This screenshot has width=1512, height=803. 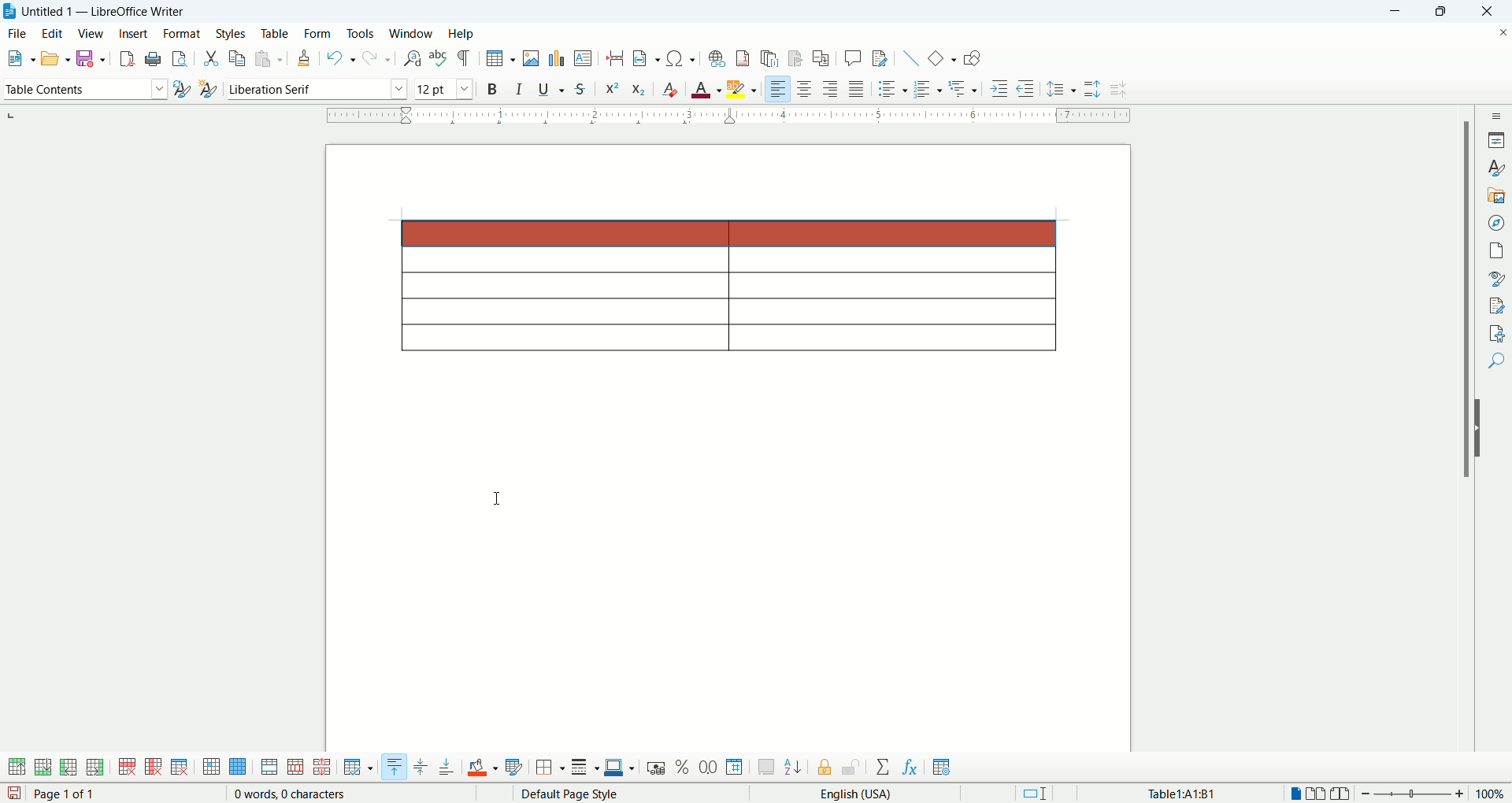 What do you see at coordinates (611, 89) in the screenshot?
I see `superscript` at bounding box center [611, 89].